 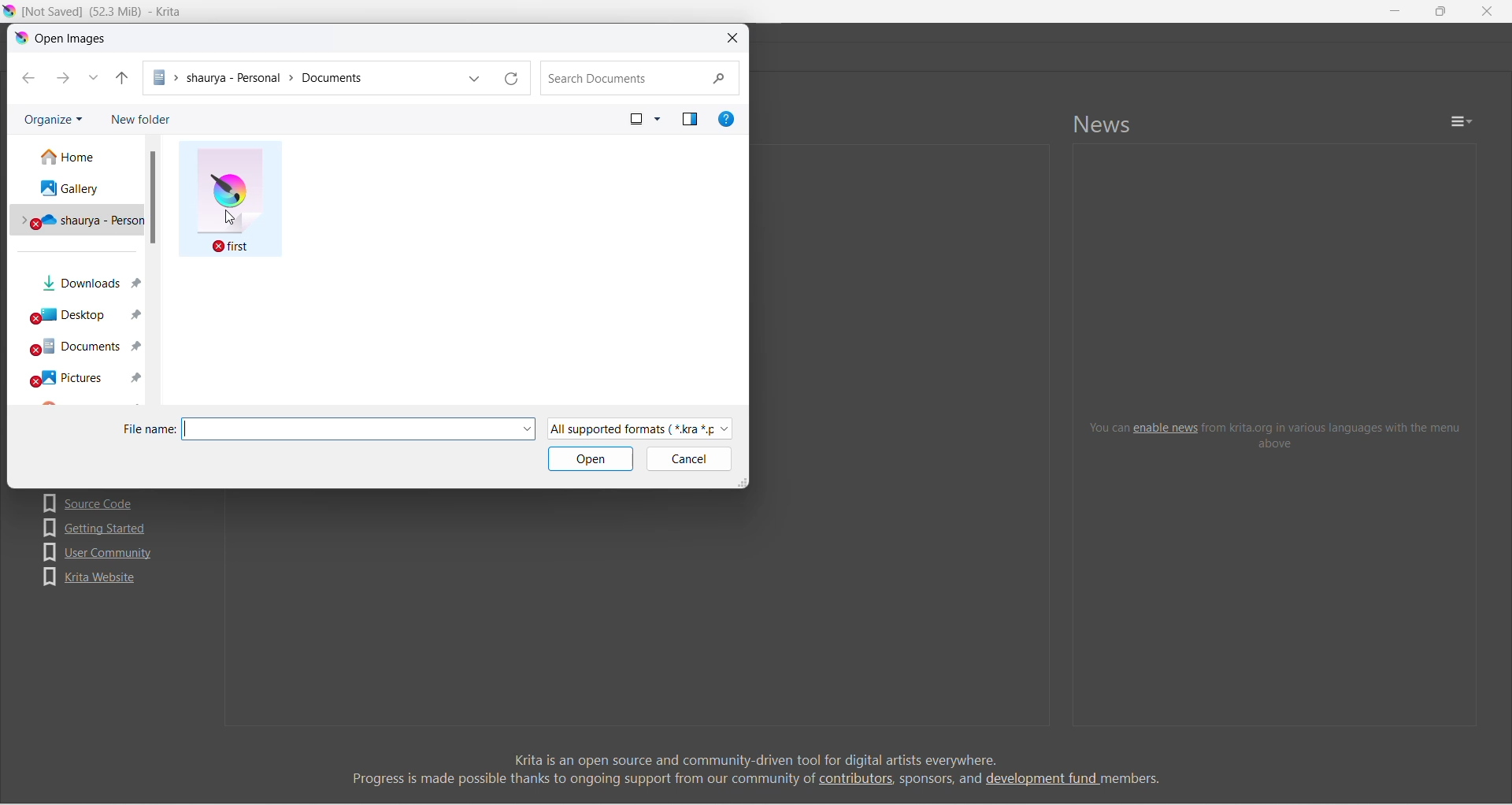 What do you see at coordinates (726, 119) in the screenshot?
I see `Get help` at bounding box center [726, 119].